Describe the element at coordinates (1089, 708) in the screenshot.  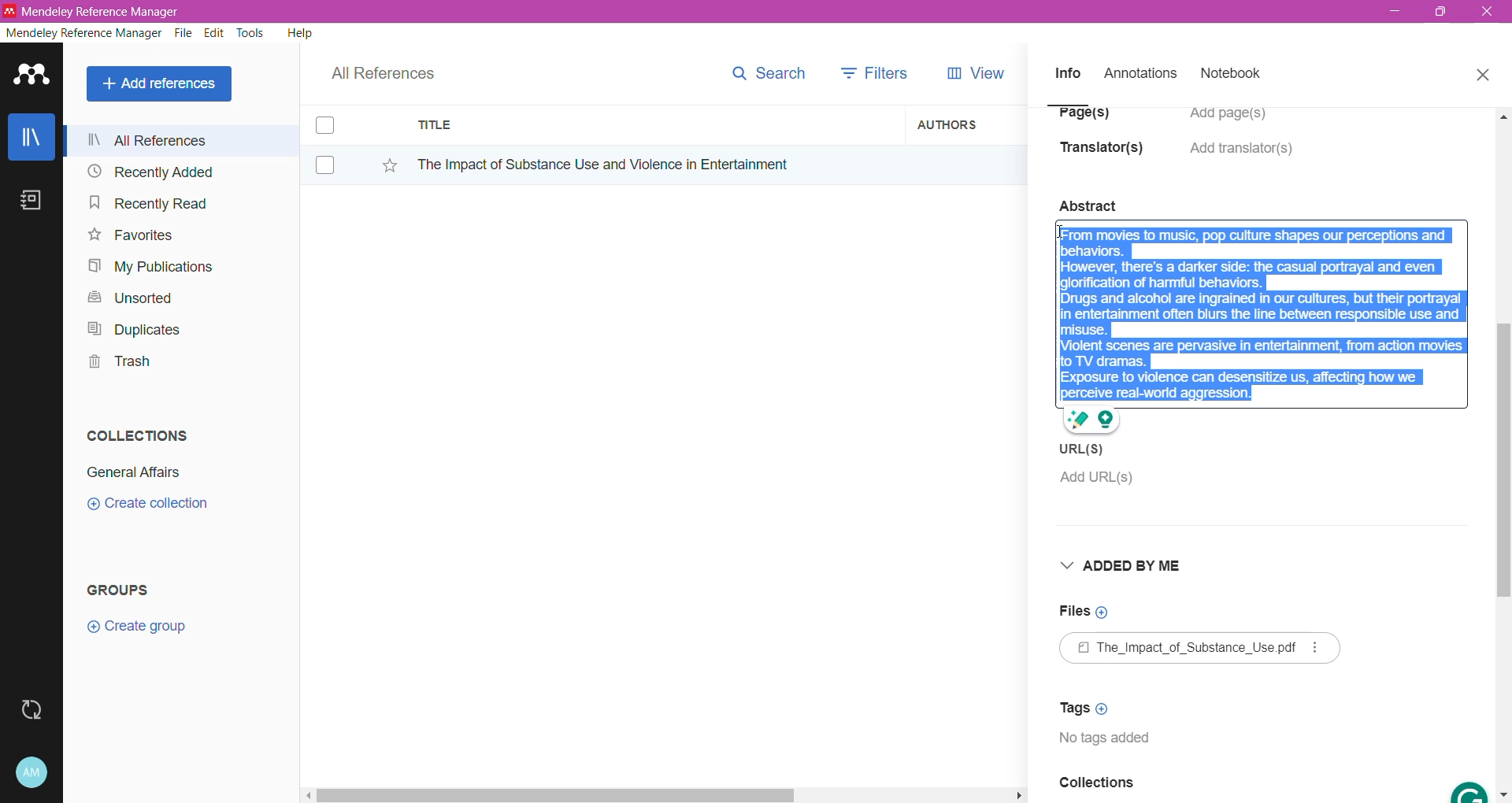
I see `Click to Add Tags` at that location.